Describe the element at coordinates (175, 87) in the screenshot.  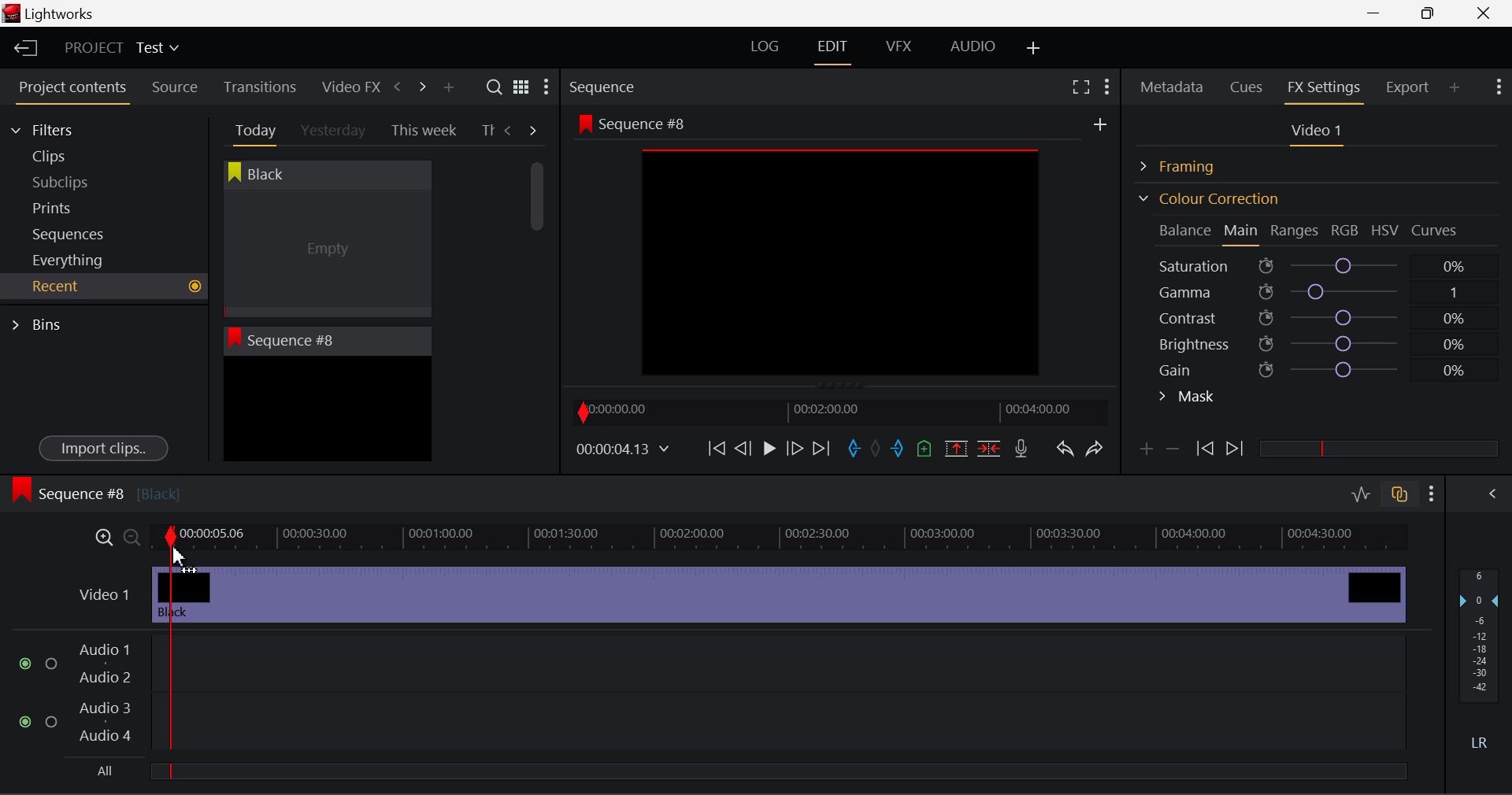
I see `Source` at that location.